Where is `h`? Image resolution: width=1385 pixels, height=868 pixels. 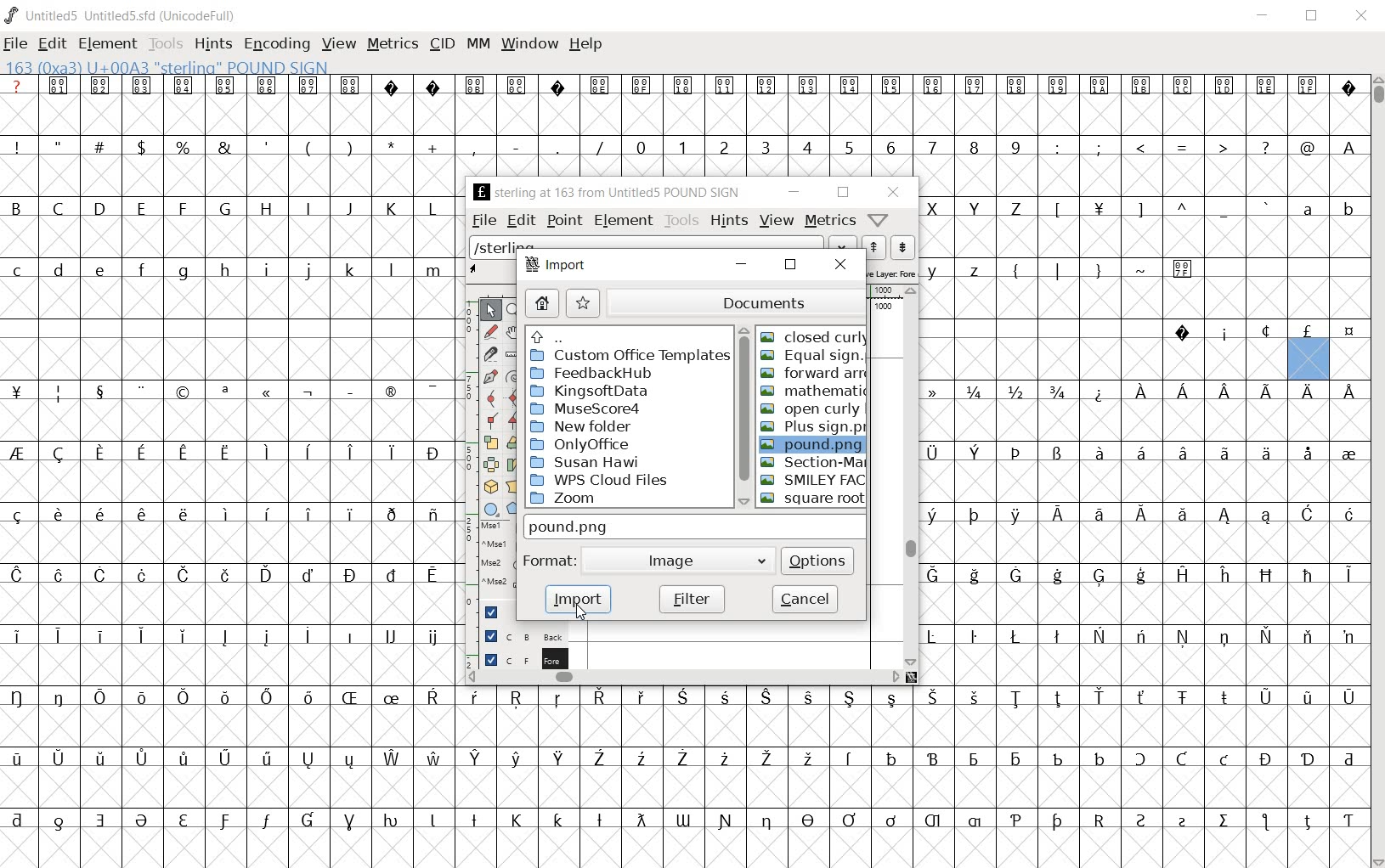
h is located at coordinates (226, 270).